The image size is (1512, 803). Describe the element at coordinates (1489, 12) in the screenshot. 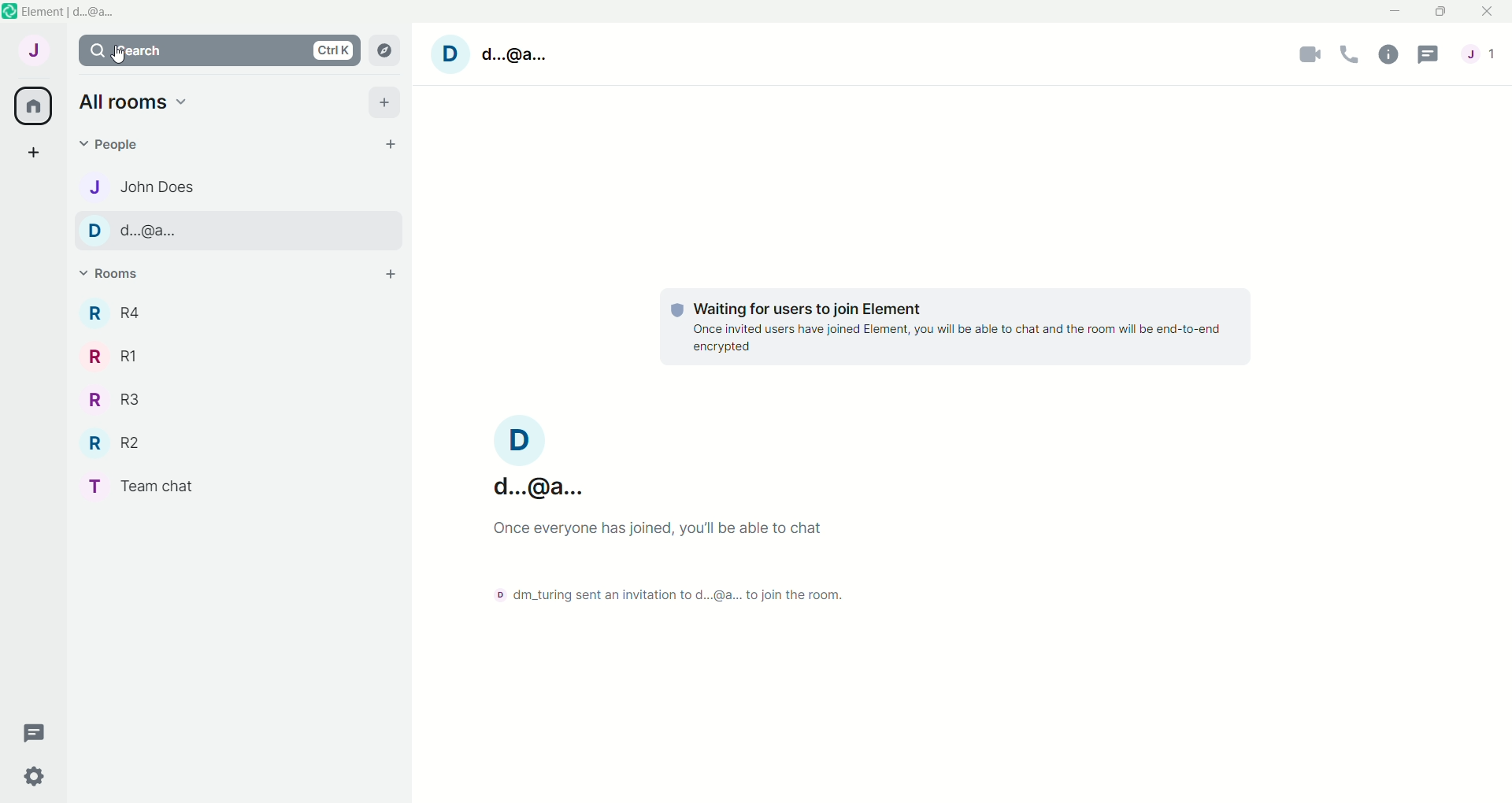

I see `close` at that location.